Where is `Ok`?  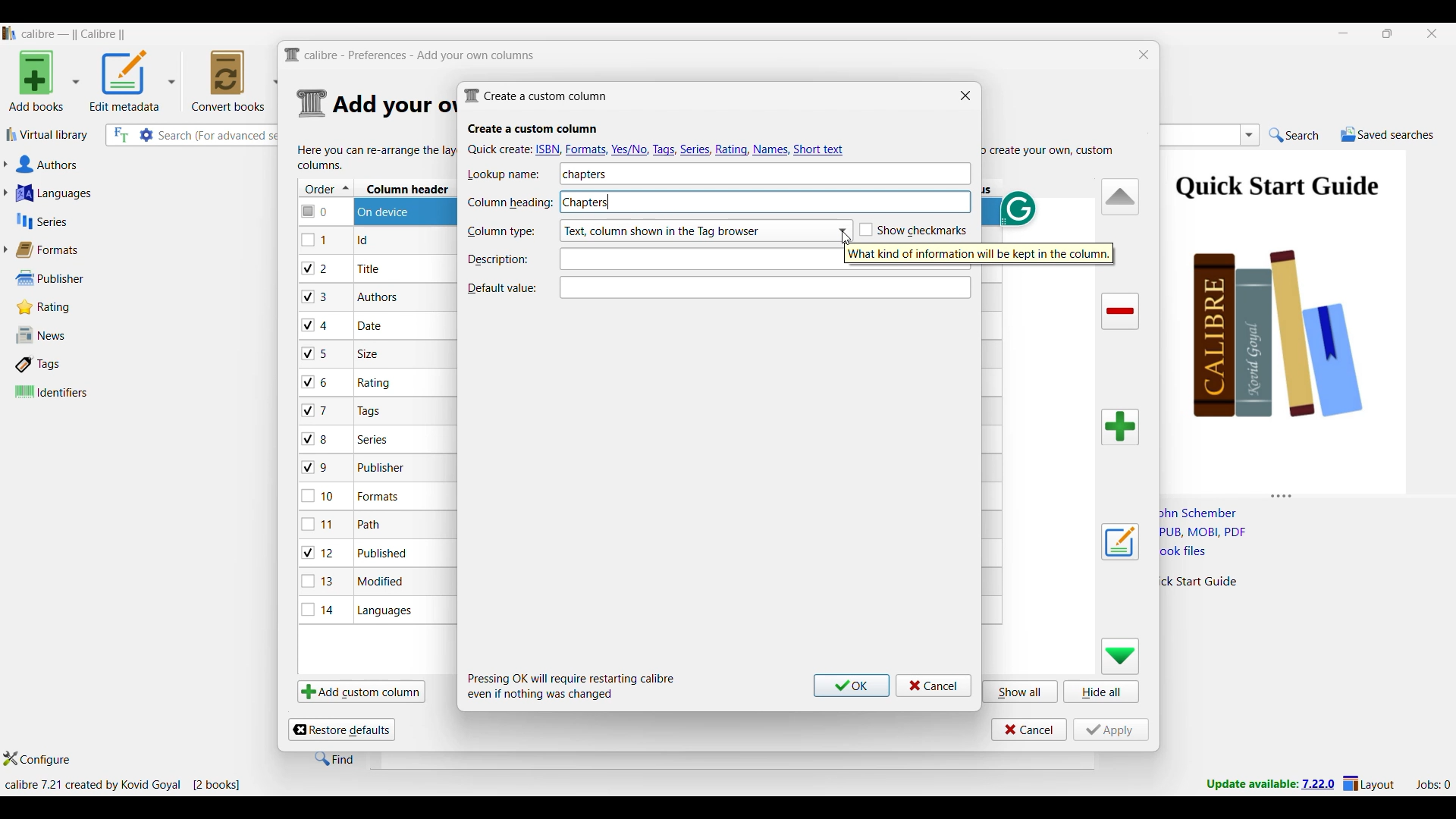
Ok is located at coordinates (852, 686).